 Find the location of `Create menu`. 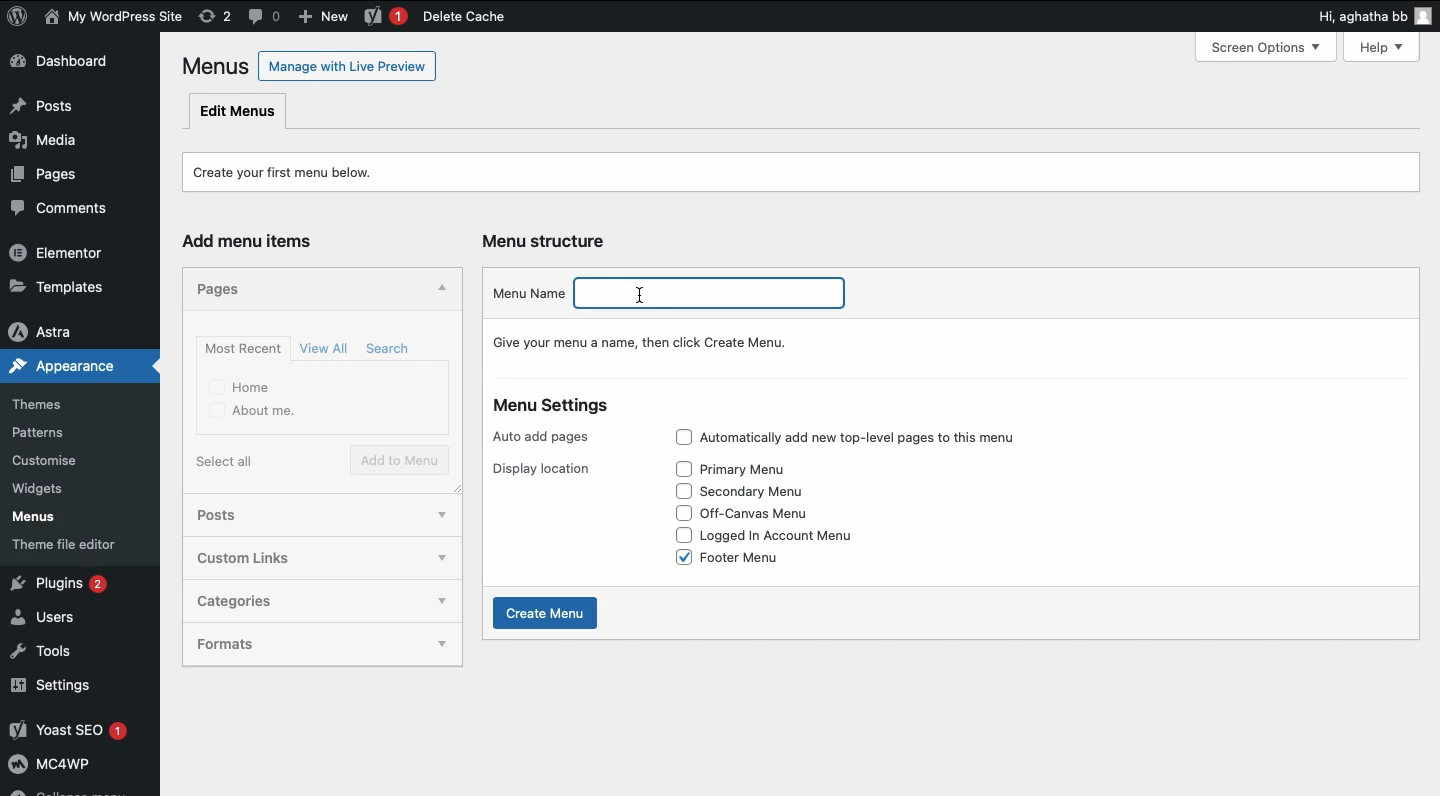

Create menu is located at coordinates (545, 614).